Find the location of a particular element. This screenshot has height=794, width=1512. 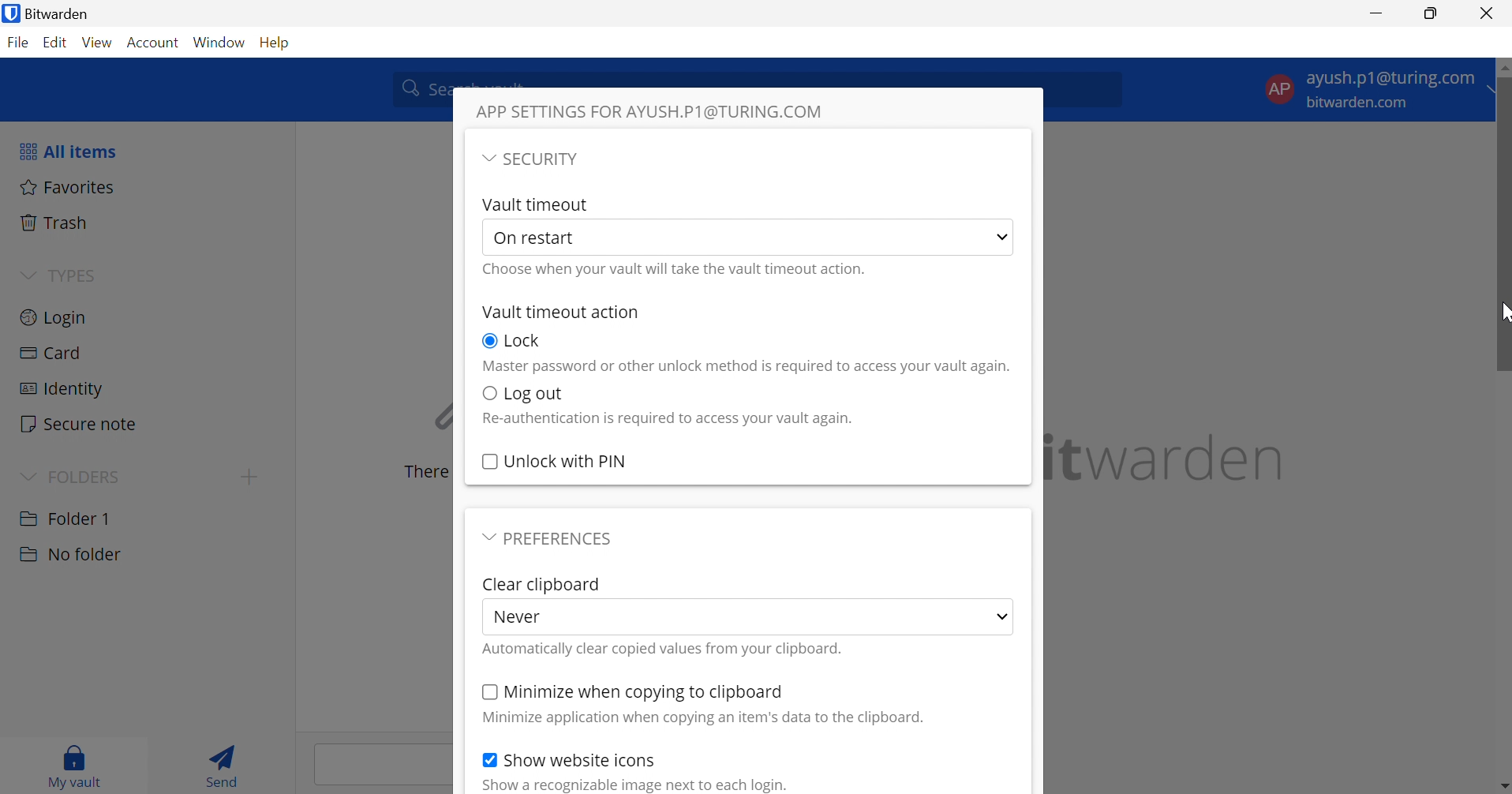

bitwarden.com is located at coordinates (1361, 103).